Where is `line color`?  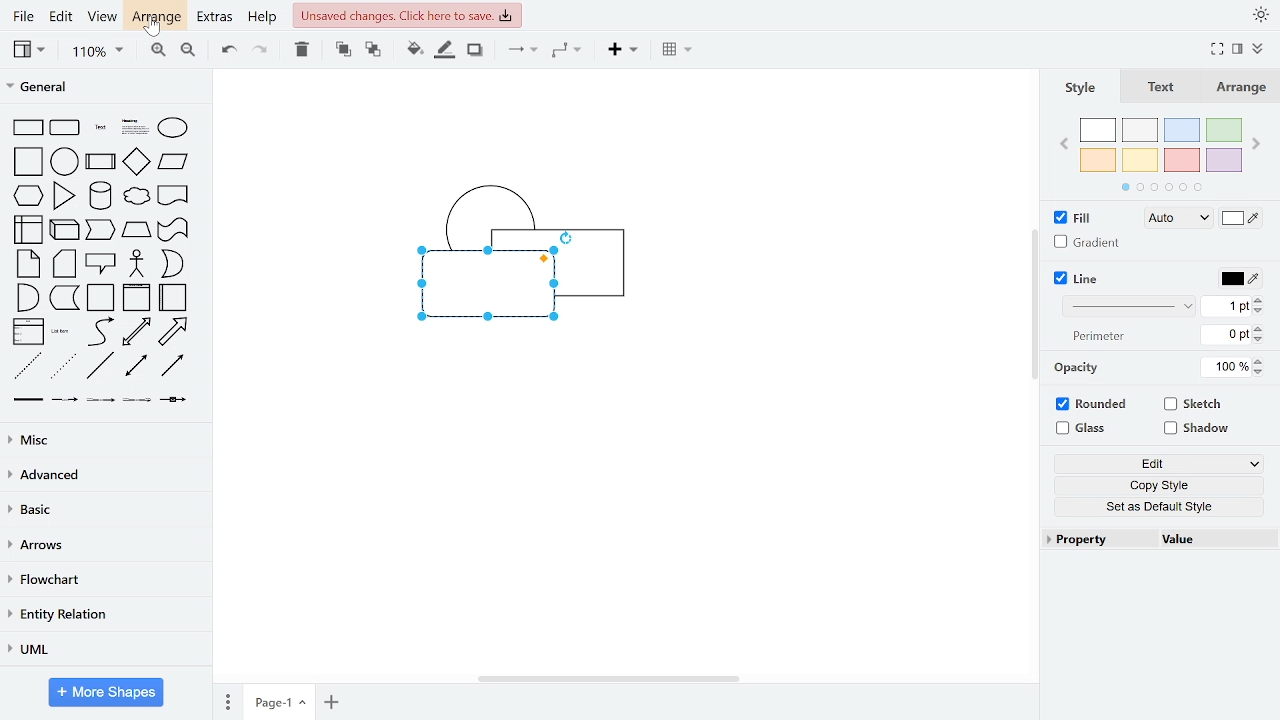
line color is located at coordinates (1242, 280).